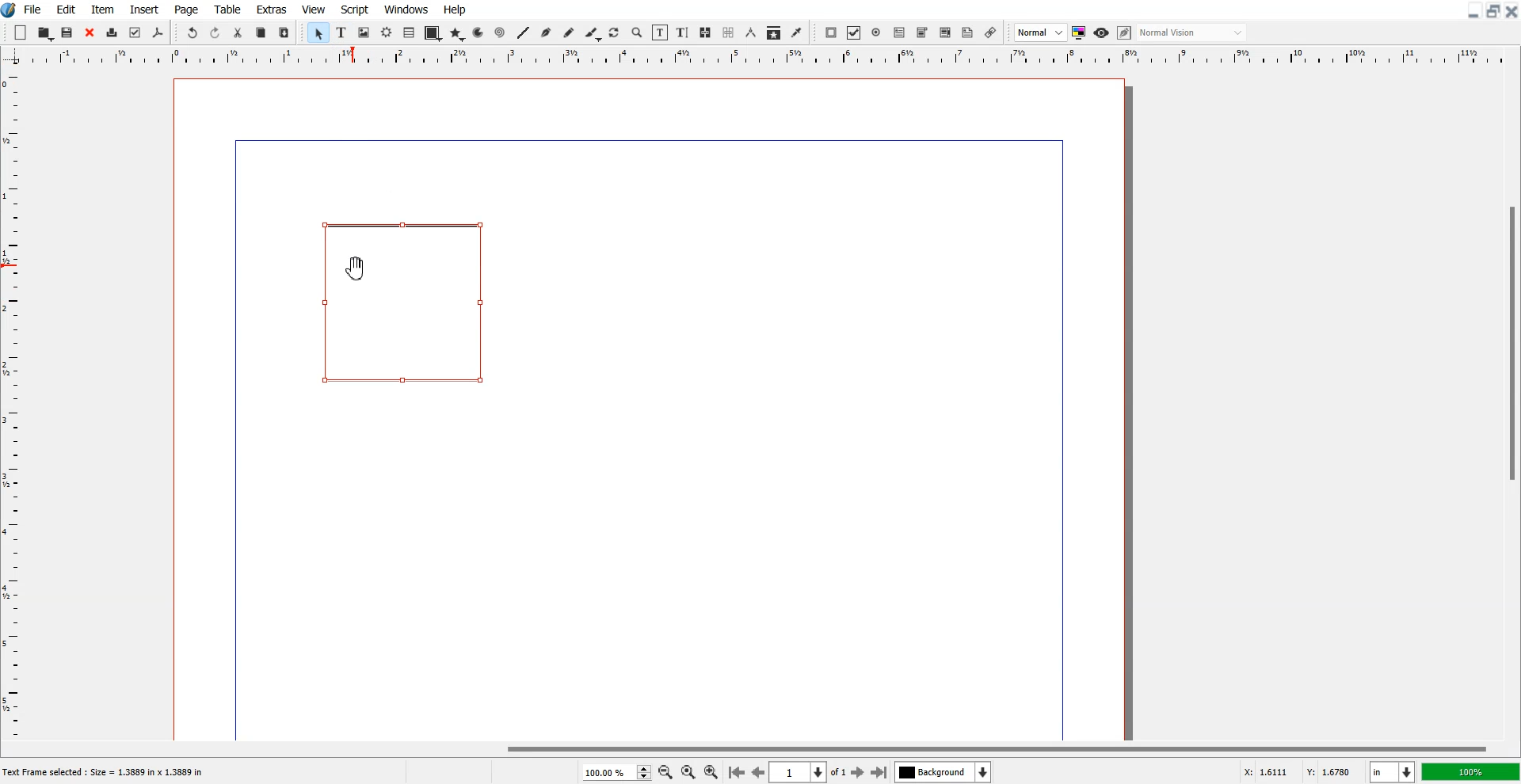 Image resolution: width=1521 pixels, height=784 pixels. I want to click on Edit in preview, so click(1126, 33).